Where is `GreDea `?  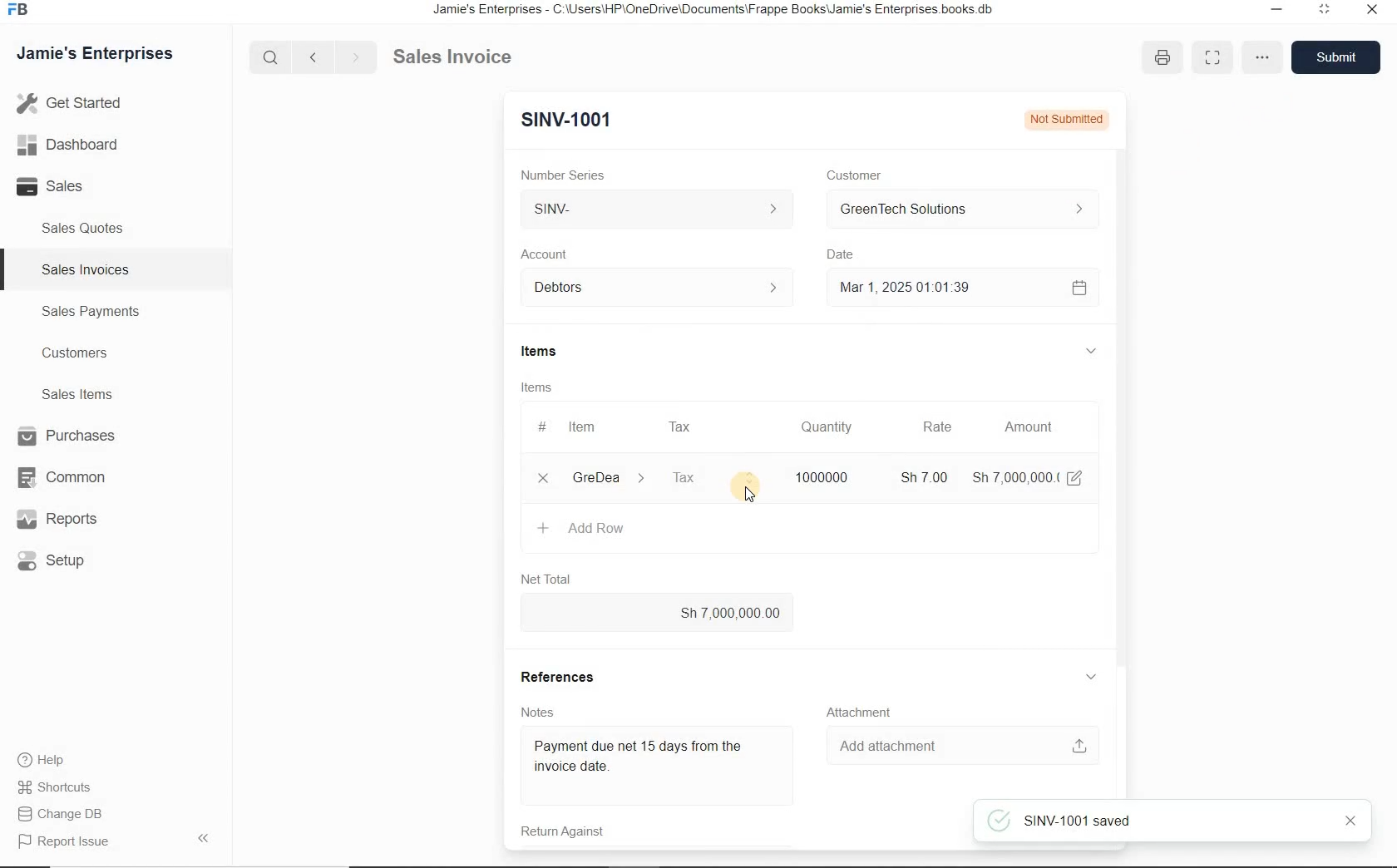
GreDea  is located at coordinates (606, 479).